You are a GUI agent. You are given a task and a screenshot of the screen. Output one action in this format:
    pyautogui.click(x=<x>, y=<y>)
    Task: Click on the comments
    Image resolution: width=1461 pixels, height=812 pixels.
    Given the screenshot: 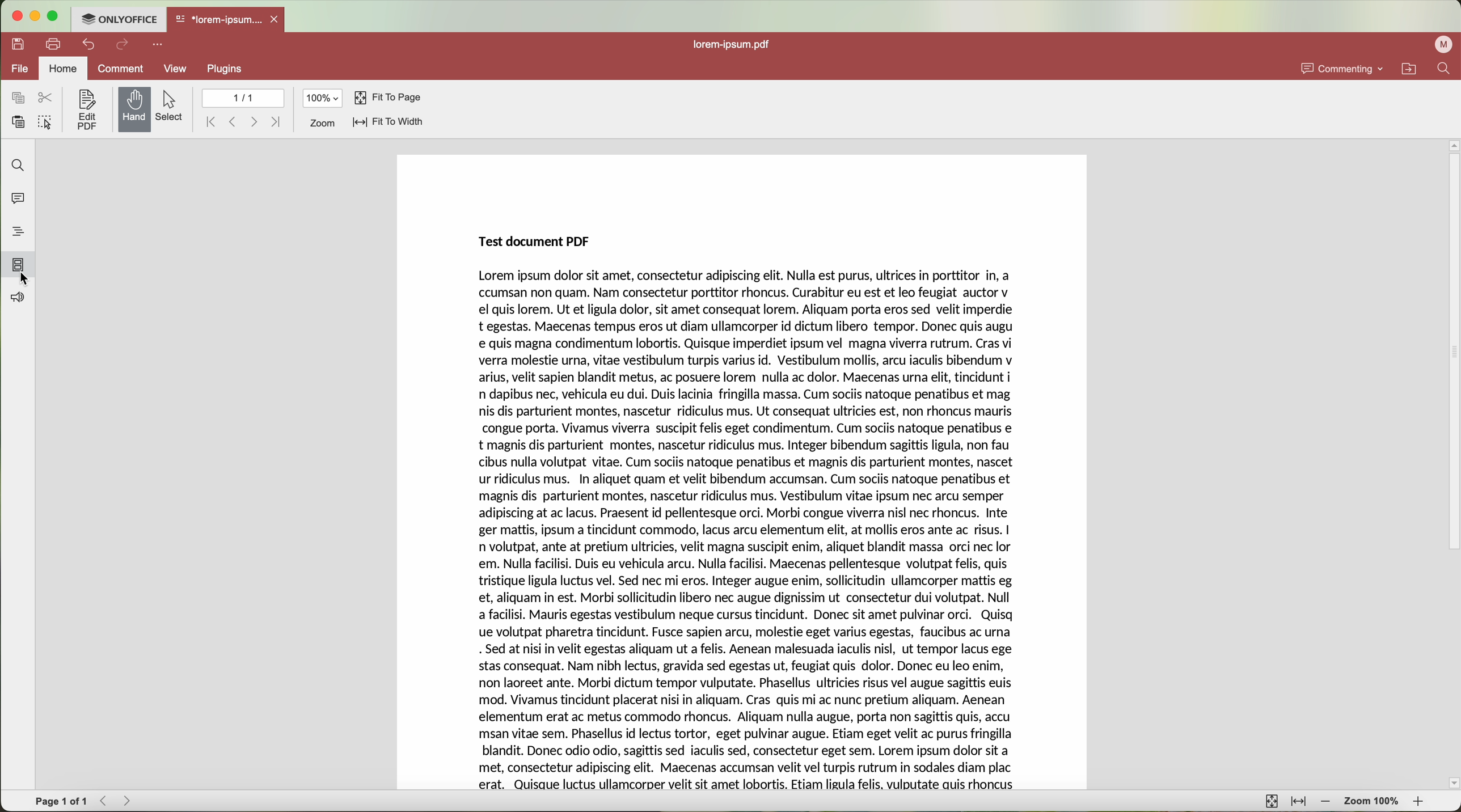 What is the action you would take?
    pyautogui.click(x=18, y=201)
    